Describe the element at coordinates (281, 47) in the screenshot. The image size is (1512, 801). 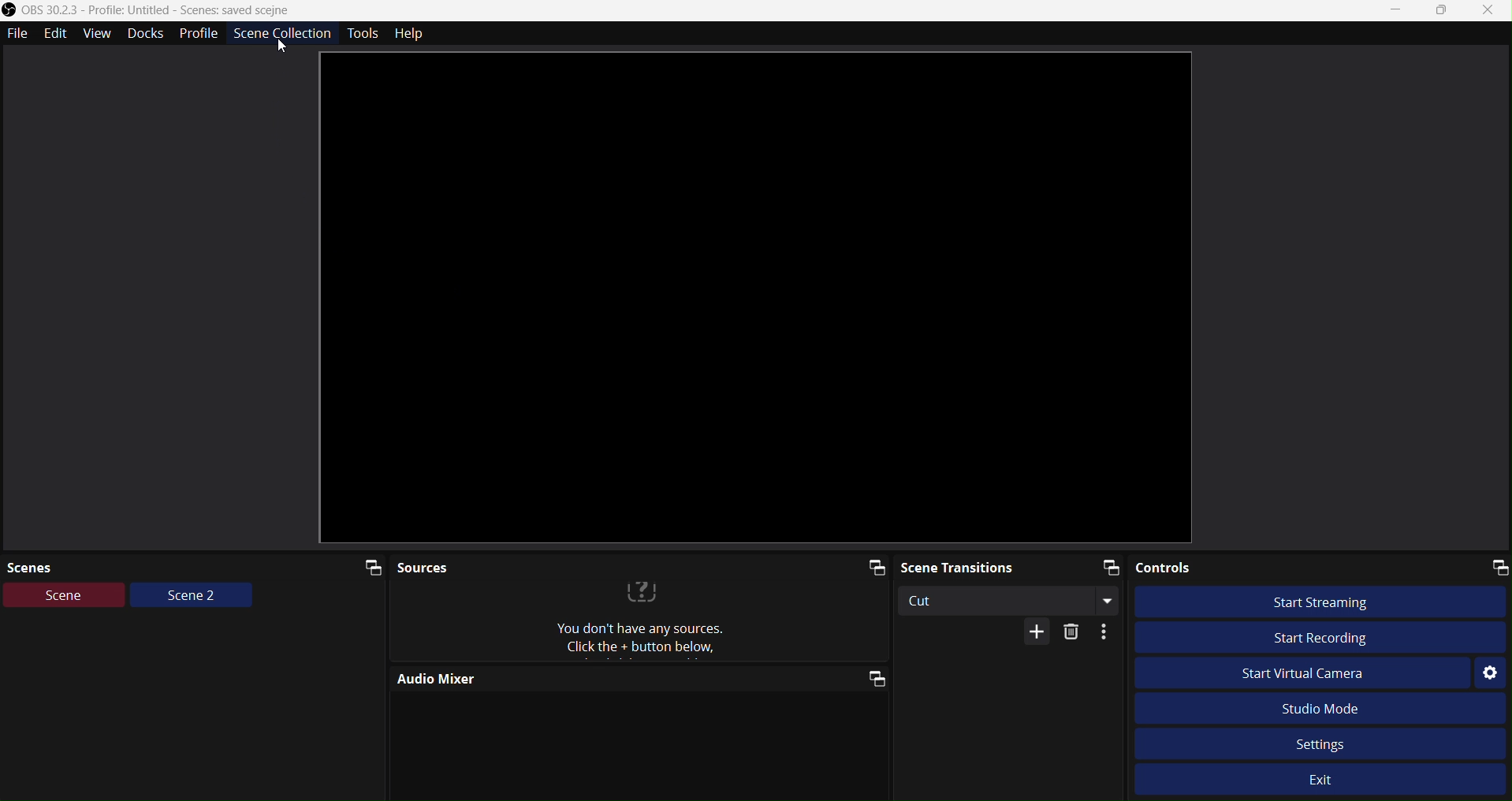
I see `cursor` at that location.